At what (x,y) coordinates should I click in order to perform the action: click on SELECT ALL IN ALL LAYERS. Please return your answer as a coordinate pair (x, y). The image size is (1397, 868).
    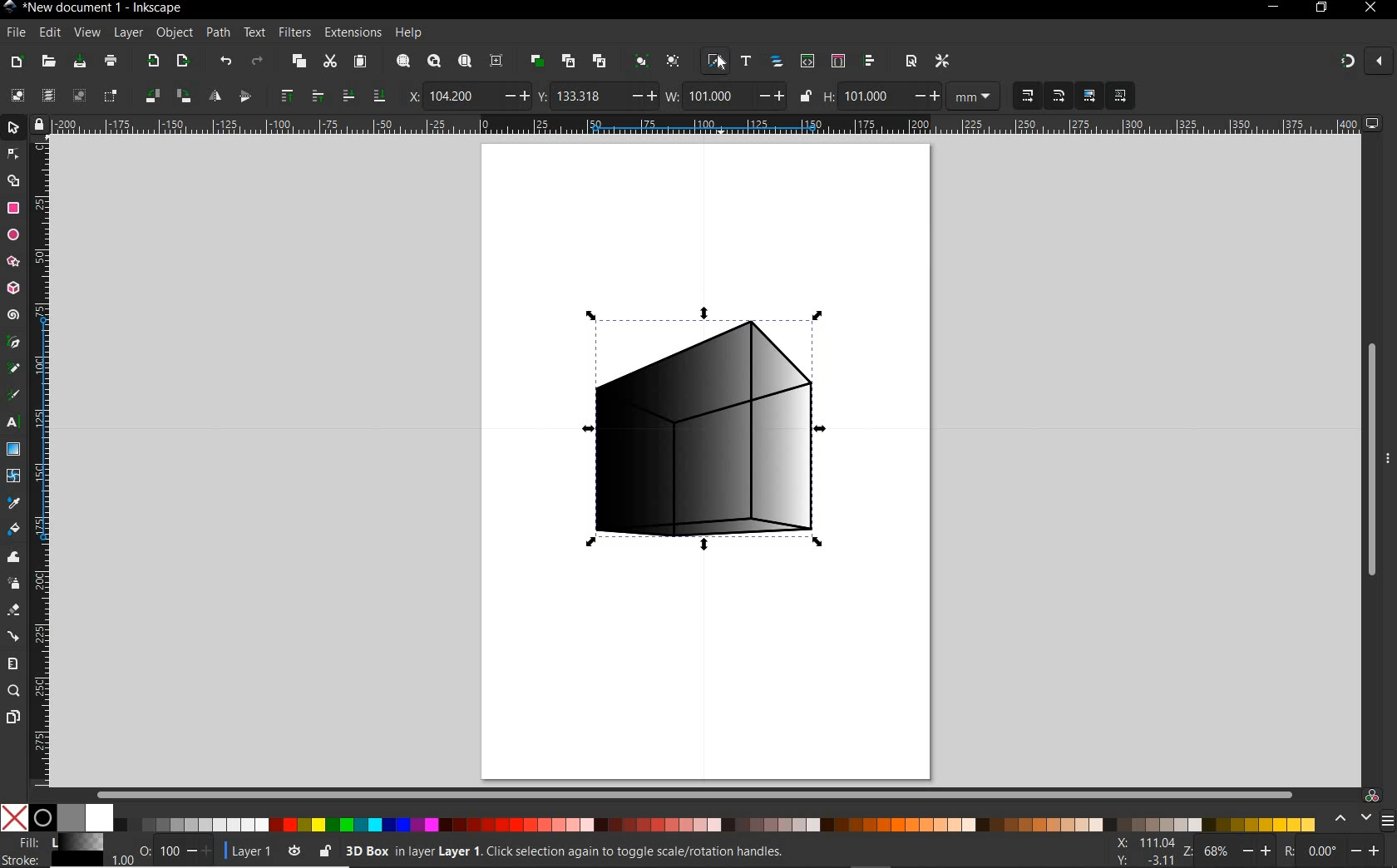
    Looking at the image, I should click on (47, 95).